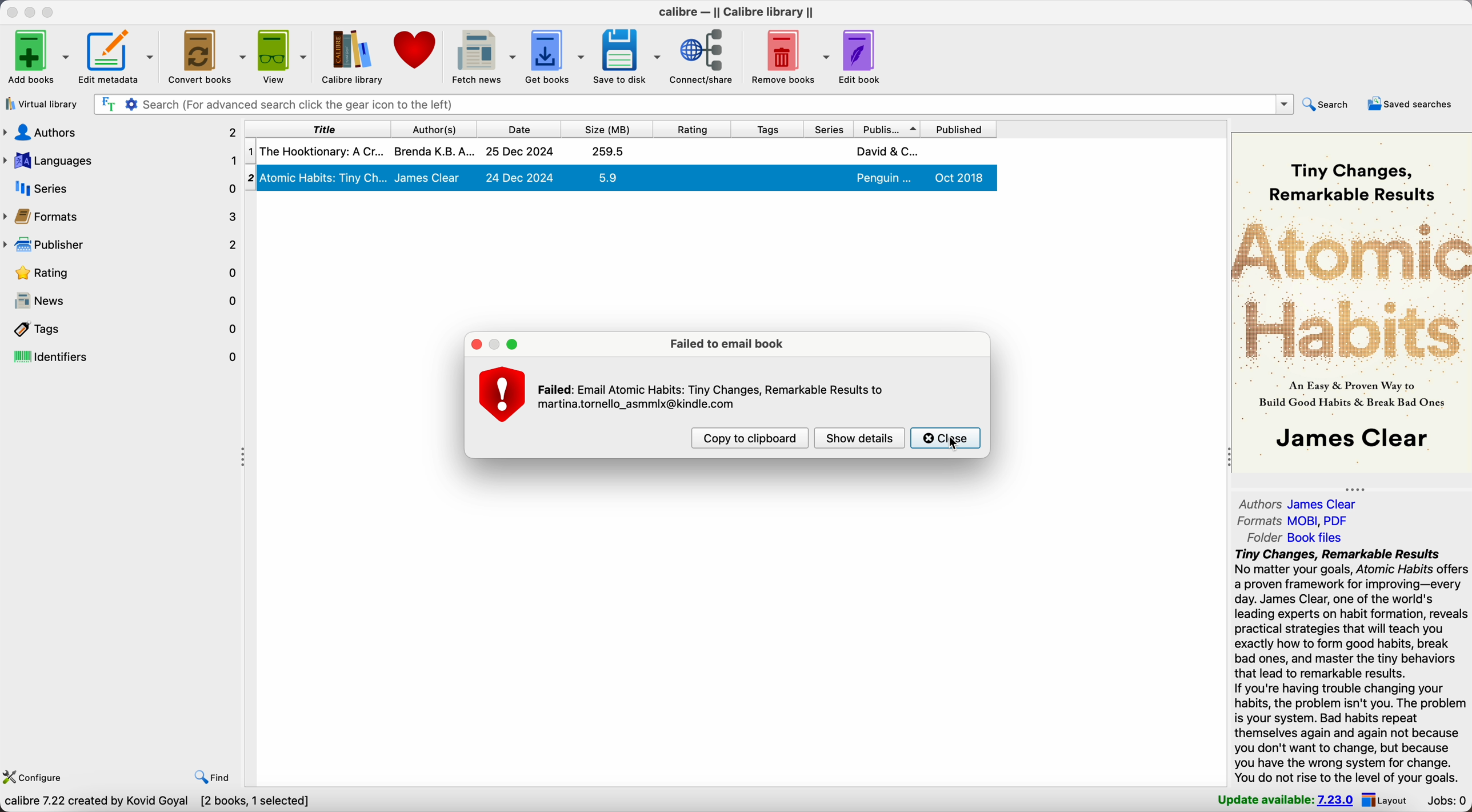  I want to click on minimize popup, so click(494, 344).